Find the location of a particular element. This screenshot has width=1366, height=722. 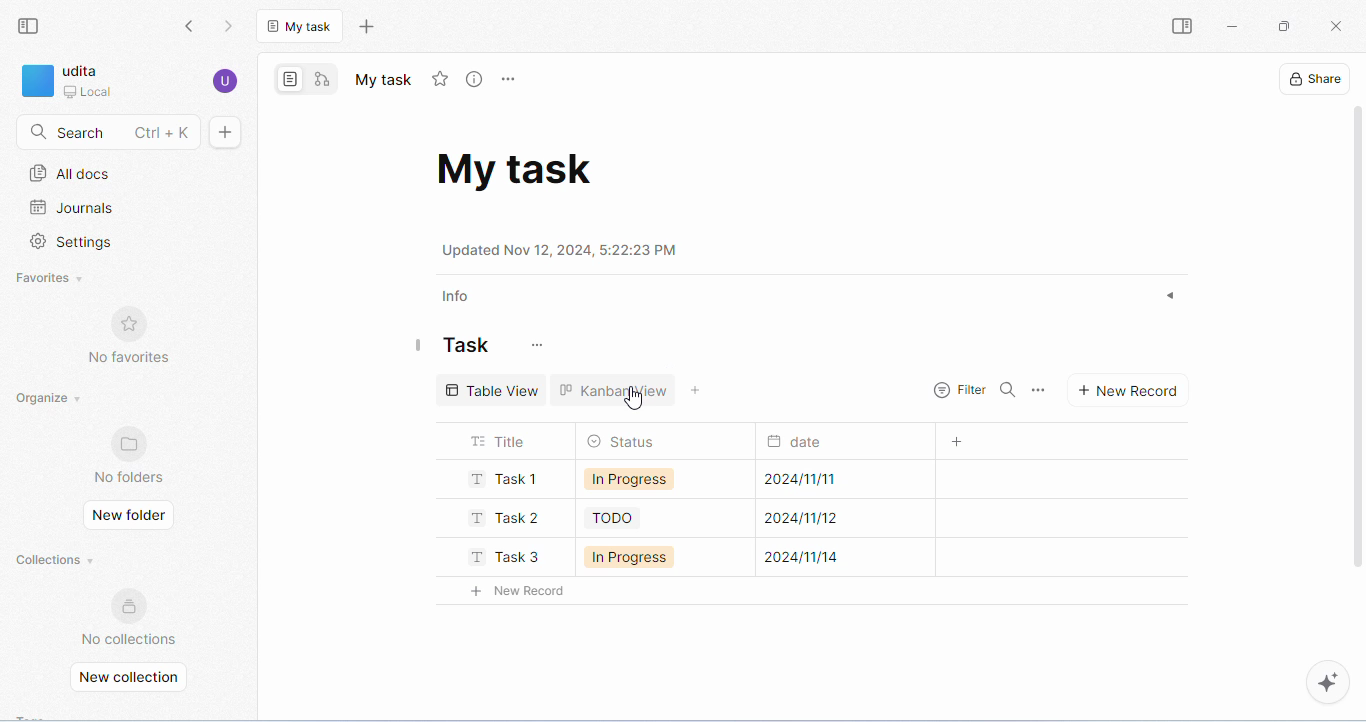

rename and more is located at coordinates (511, 80).